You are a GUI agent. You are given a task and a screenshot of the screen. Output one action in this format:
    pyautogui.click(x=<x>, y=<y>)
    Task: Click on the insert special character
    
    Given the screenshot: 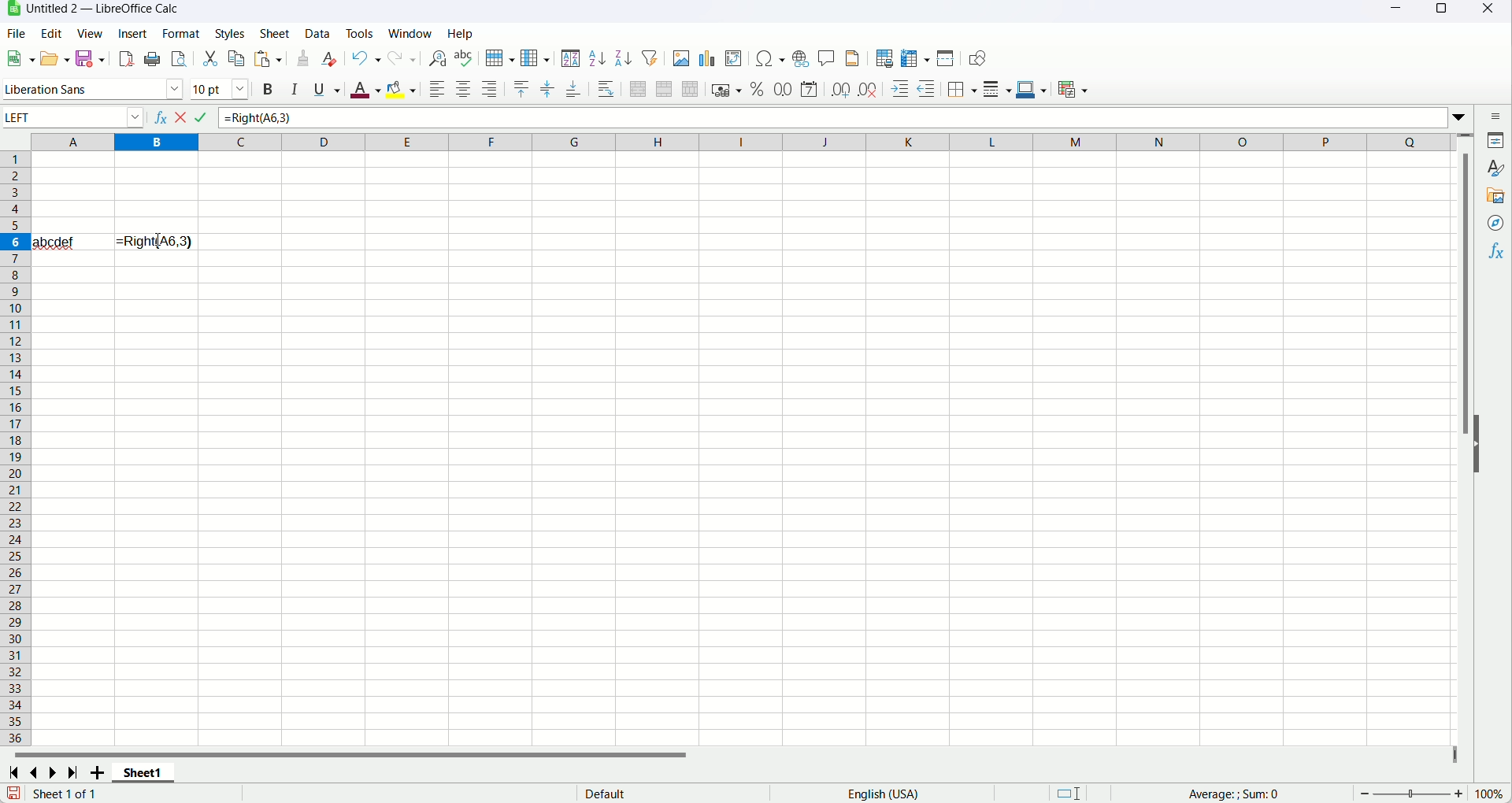 What is the action you would take?
    pyautogui.click(x=770, y=58)
    